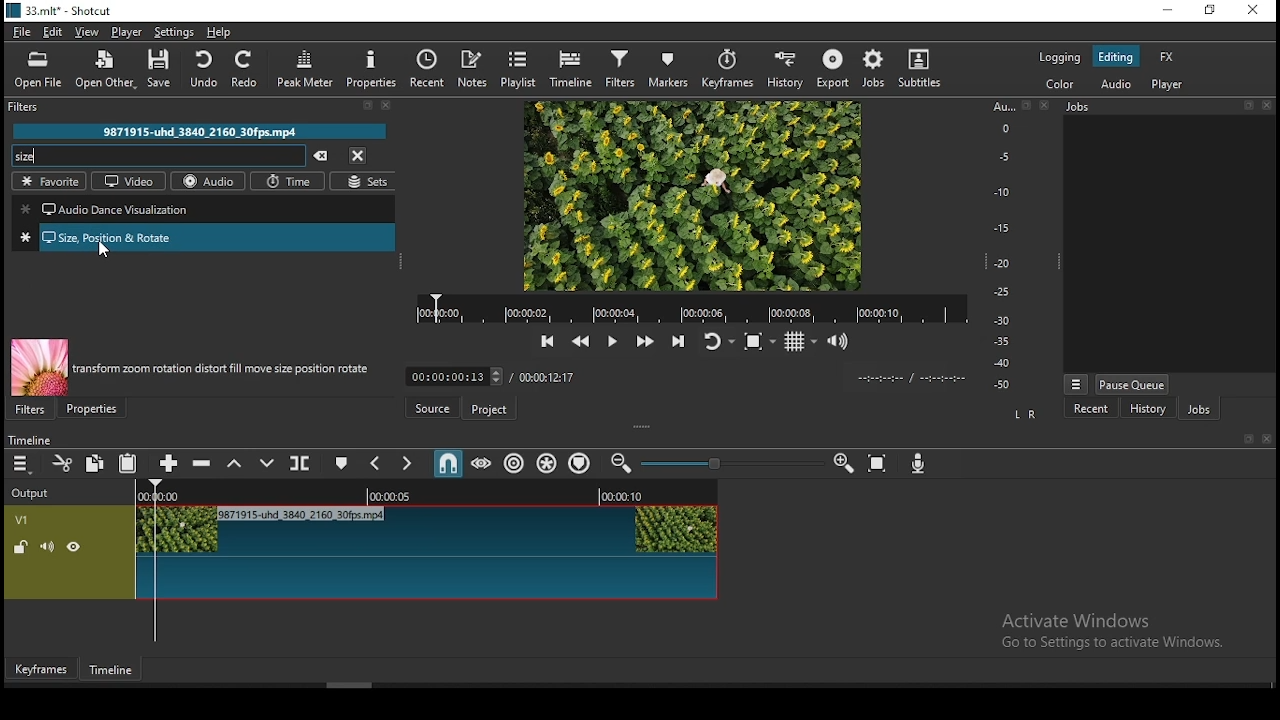 The width and height of the screenshot is (1280, 720). I want to click on color, so click(1055, 83).